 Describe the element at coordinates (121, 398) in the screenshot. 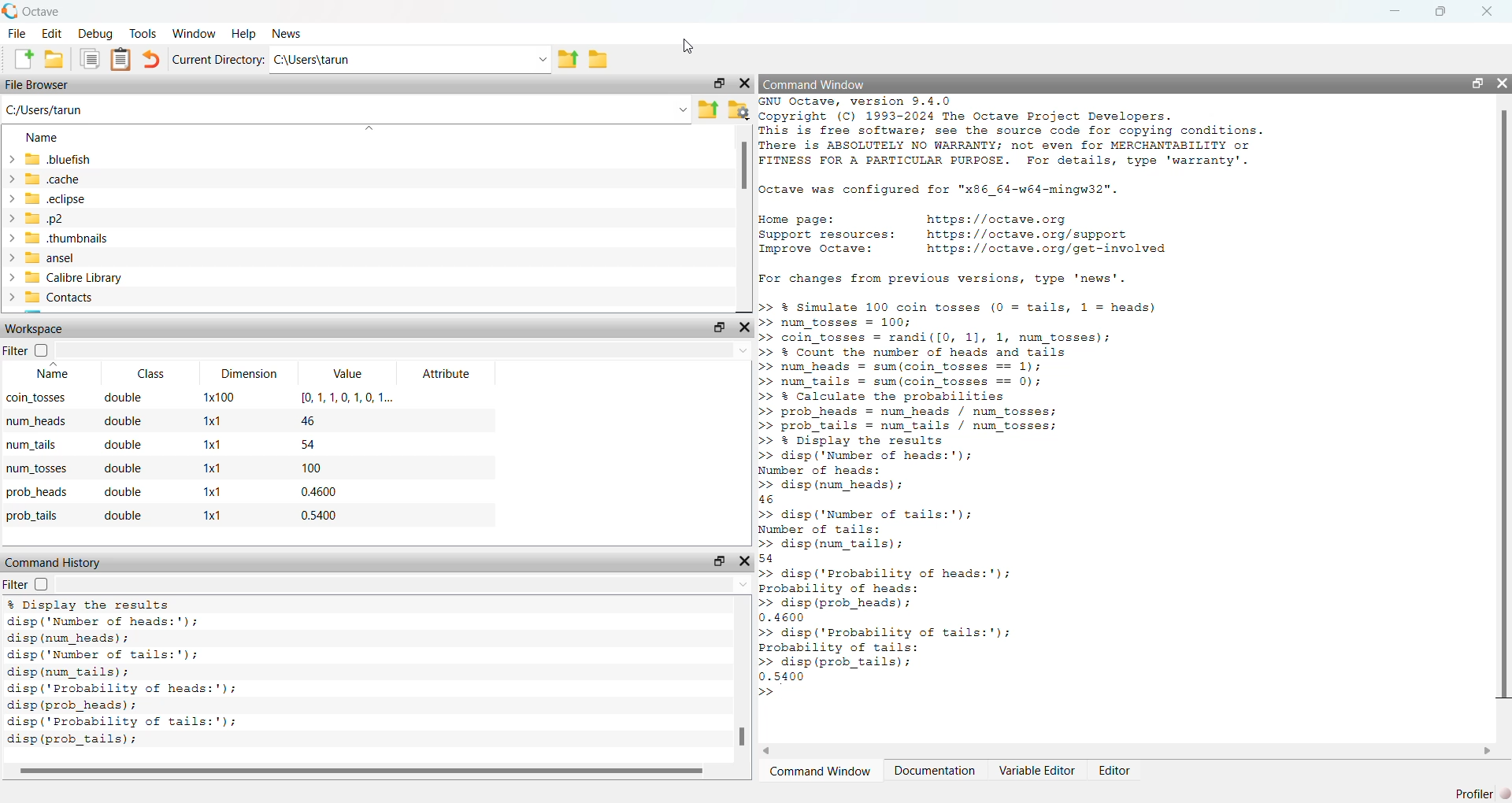

I see `double` at that location.